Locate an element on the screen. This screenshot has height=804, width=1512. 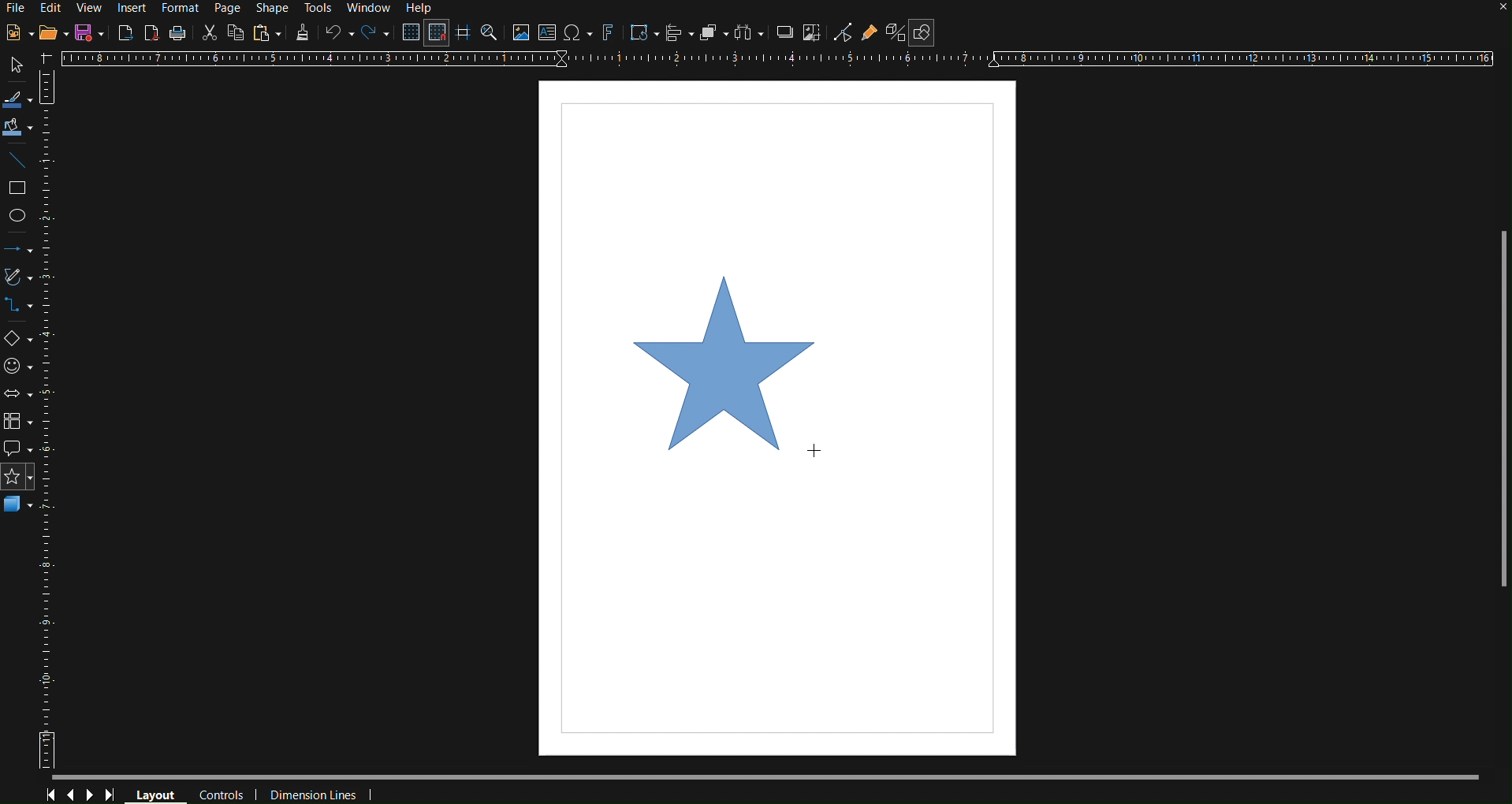
Save is located at coordinates (89, 32).